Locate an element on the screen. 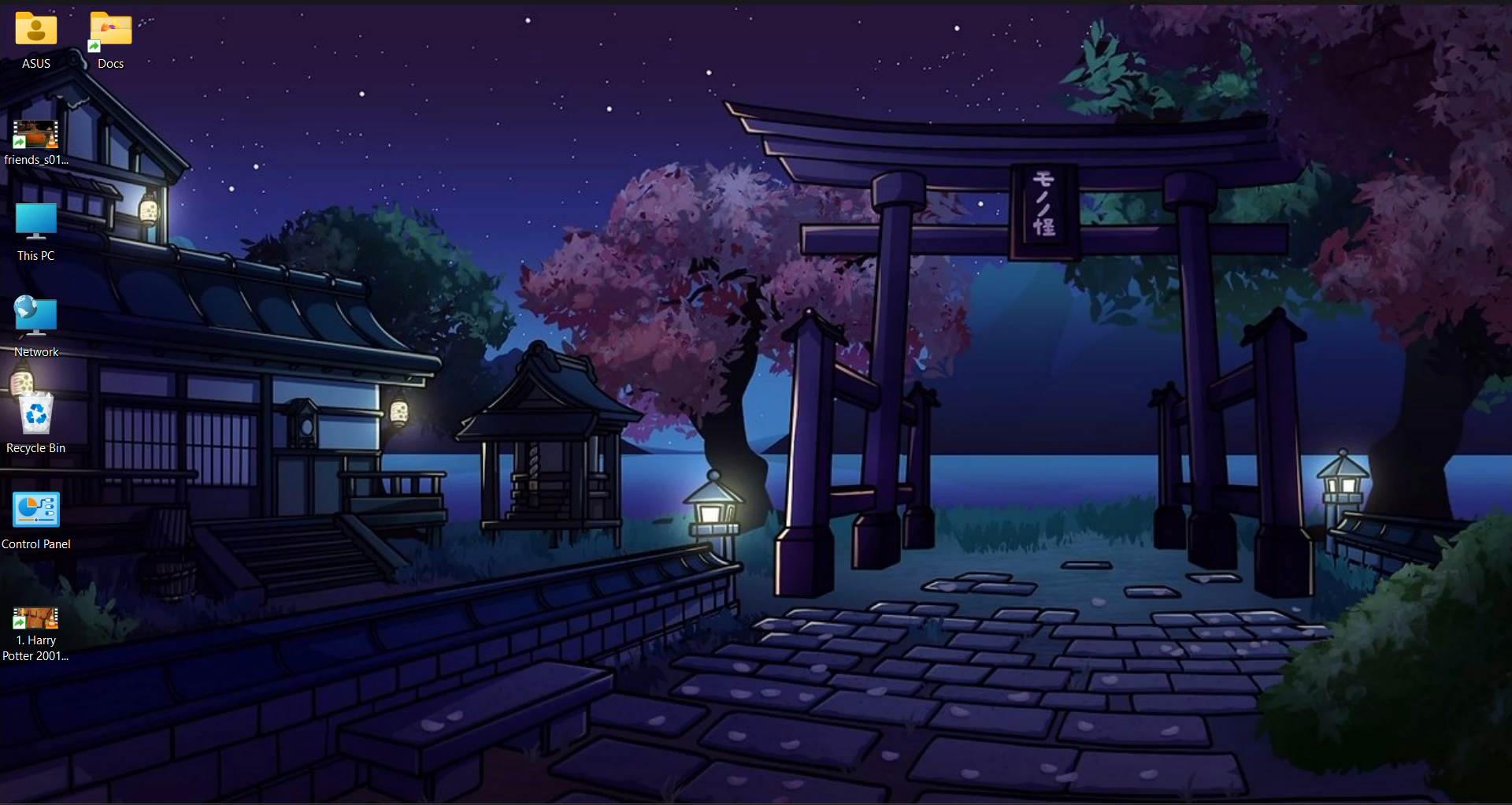  1. Harry
otter 2001... is located at coordinates (42, 637).